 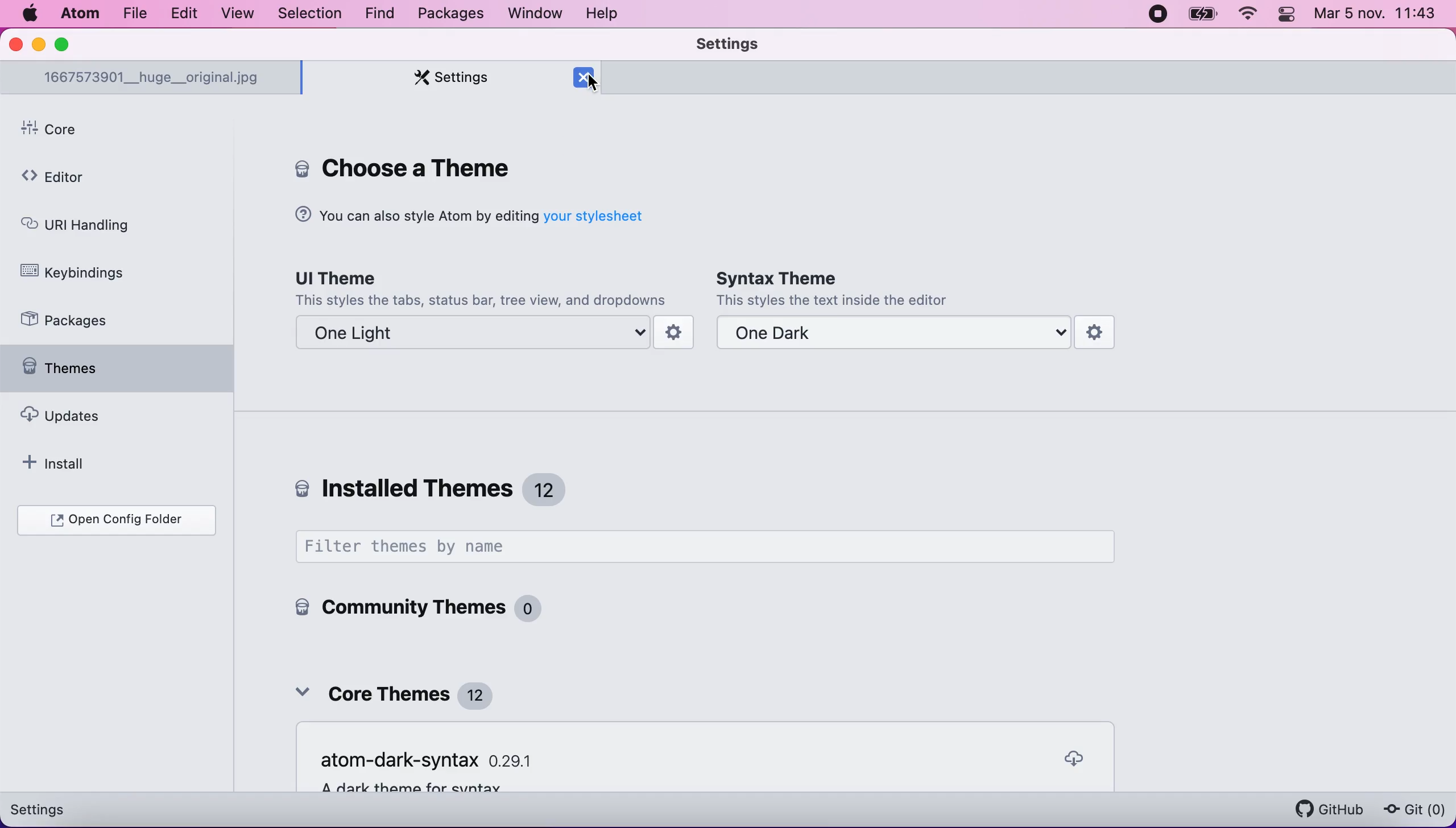 What do you see at coordinates (537, 15) in the screenshot?
I see `window` at bounding box center [537, 15].